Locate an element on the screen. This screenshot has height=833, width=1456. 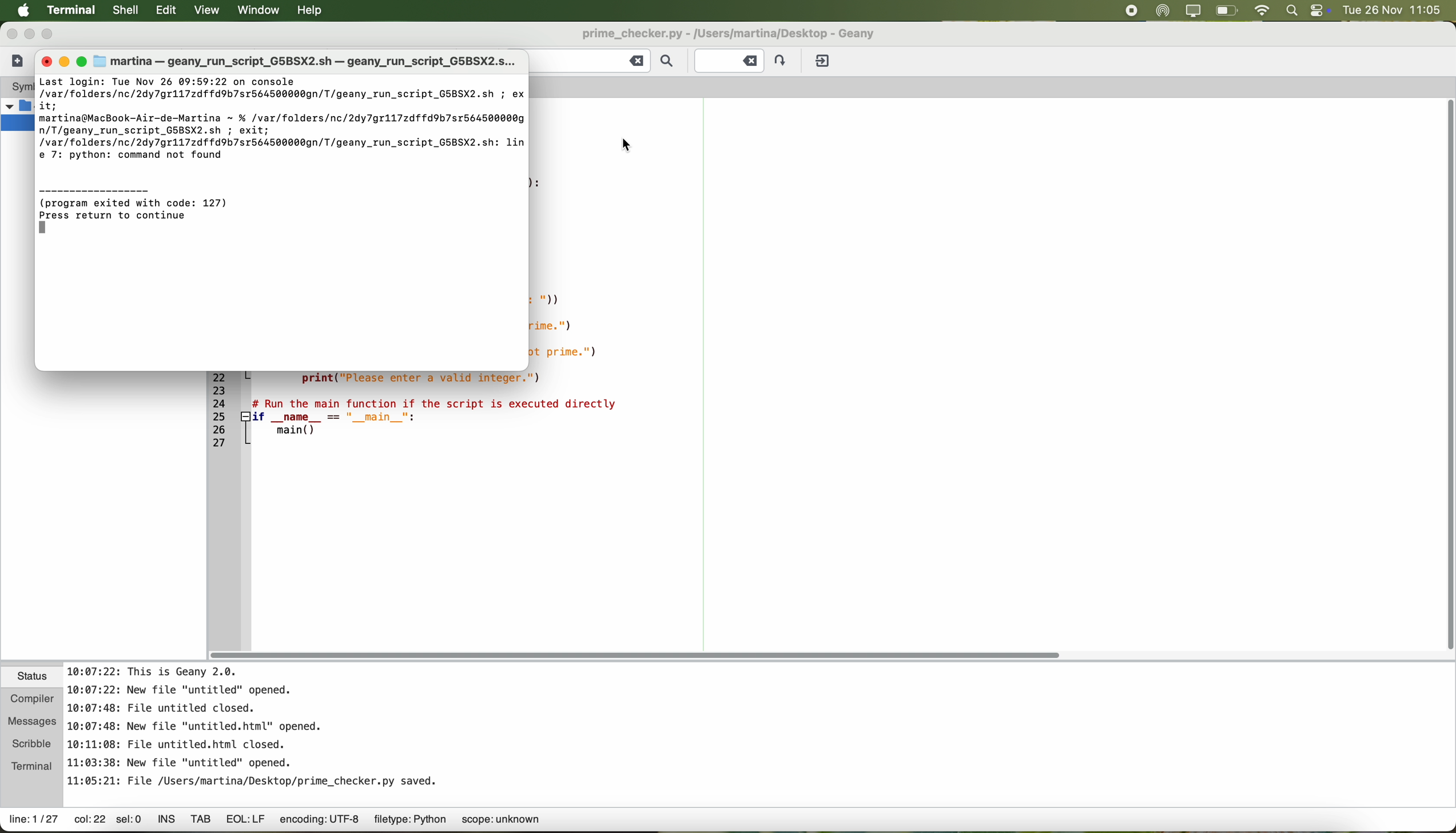
date and hour is located at coordinates (1397, 10).